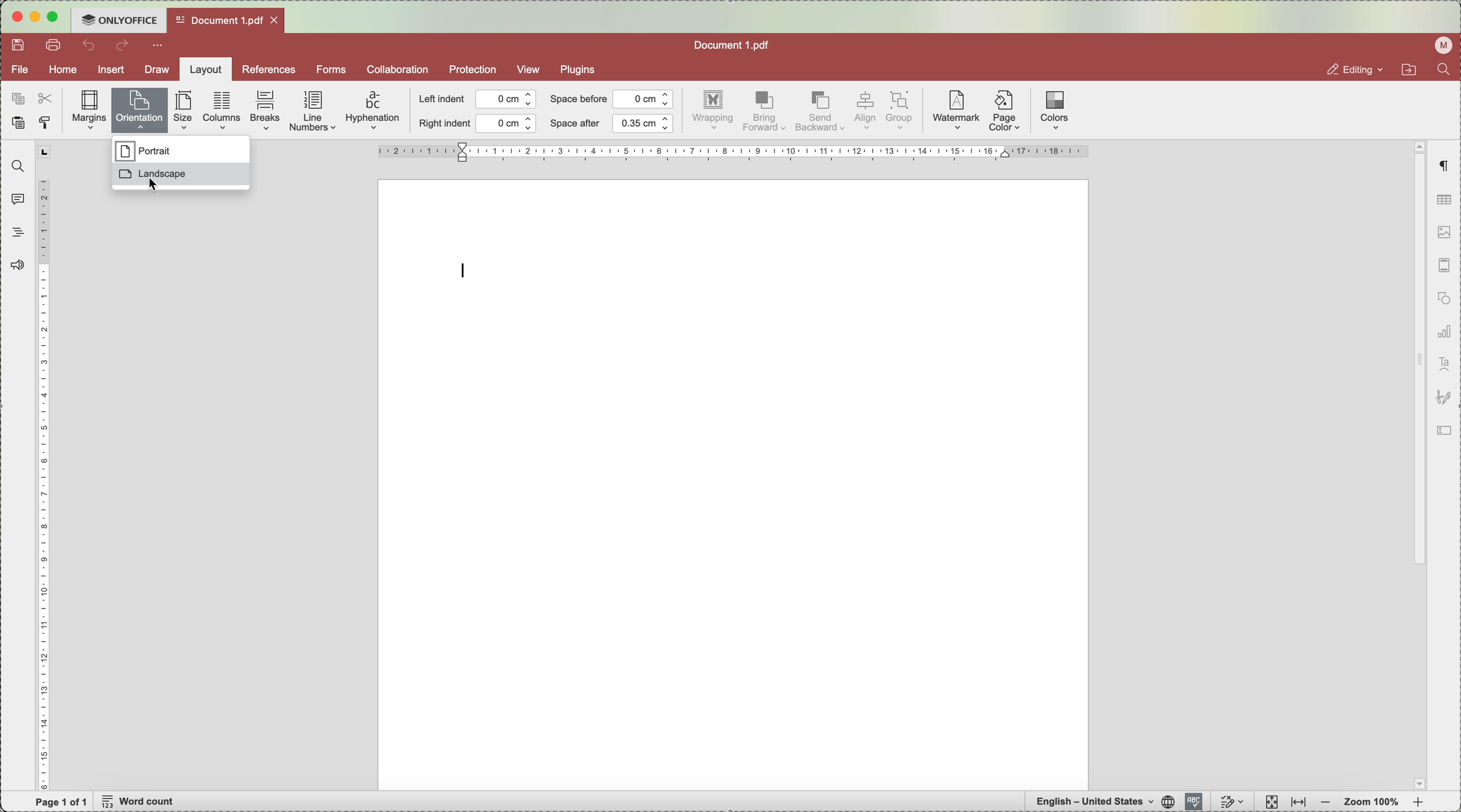 This screenshot has height=812, width=1461. I want to click on save, so click(20, 45).